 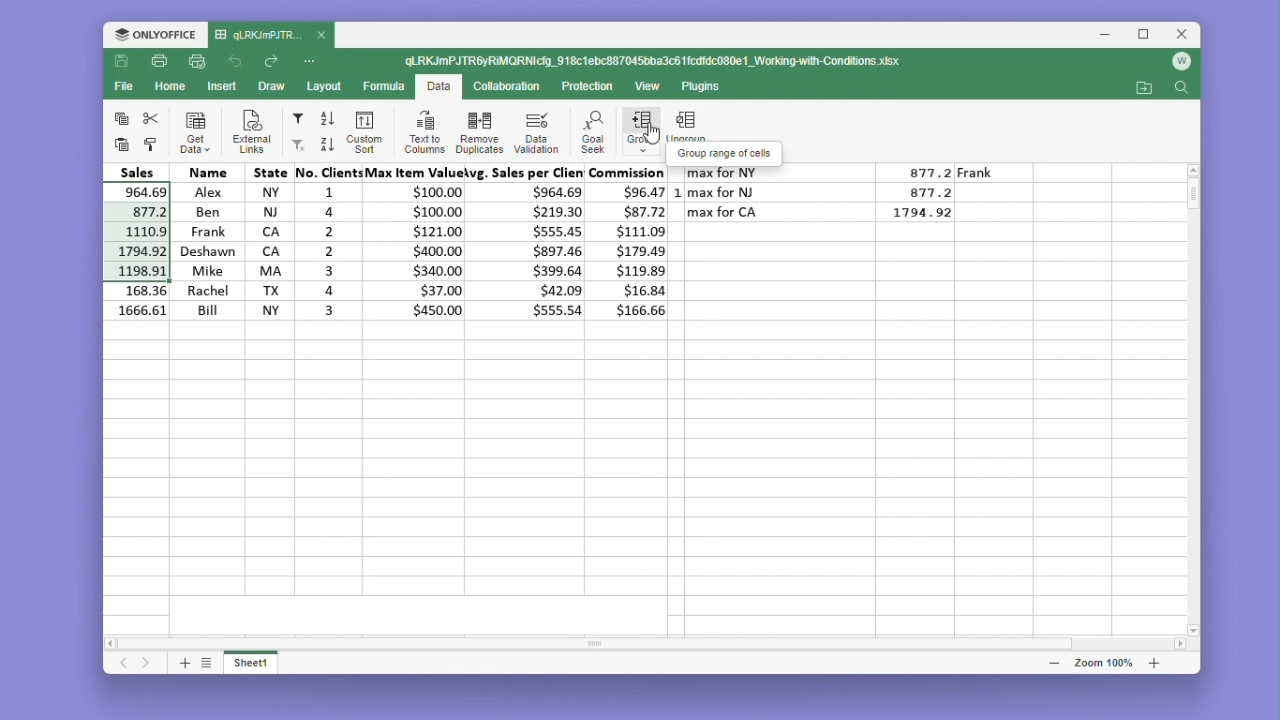 What do you see at coordinates (252, 661) in the screenshot?
I see `sheet 1` at bounding box center [252, 661].